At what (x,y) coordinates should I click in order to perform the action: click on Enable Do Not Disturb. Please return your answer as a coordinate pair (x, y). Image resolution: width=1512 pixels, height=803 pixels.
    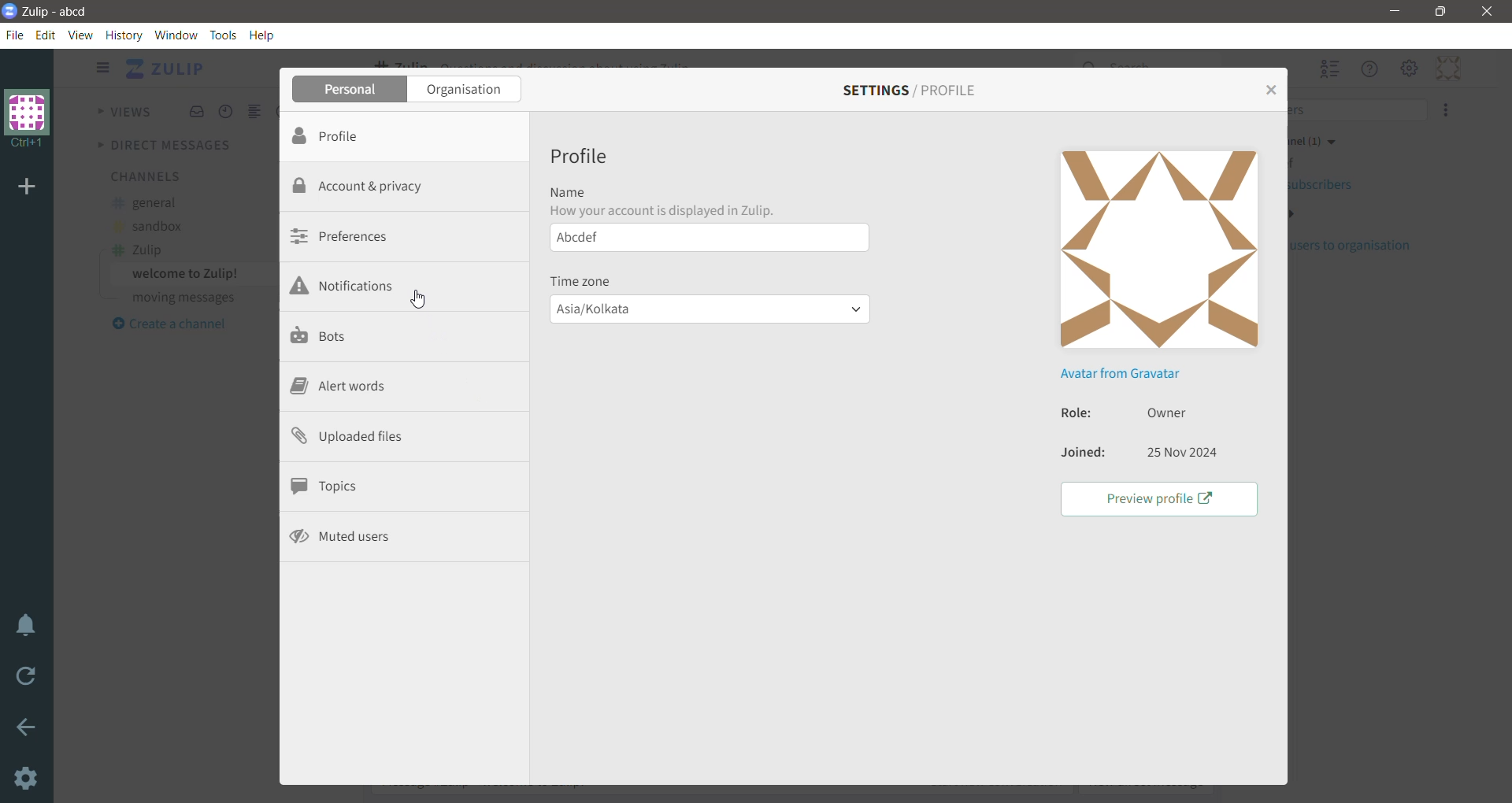
    Looking at the image, I should click on (28, 627).